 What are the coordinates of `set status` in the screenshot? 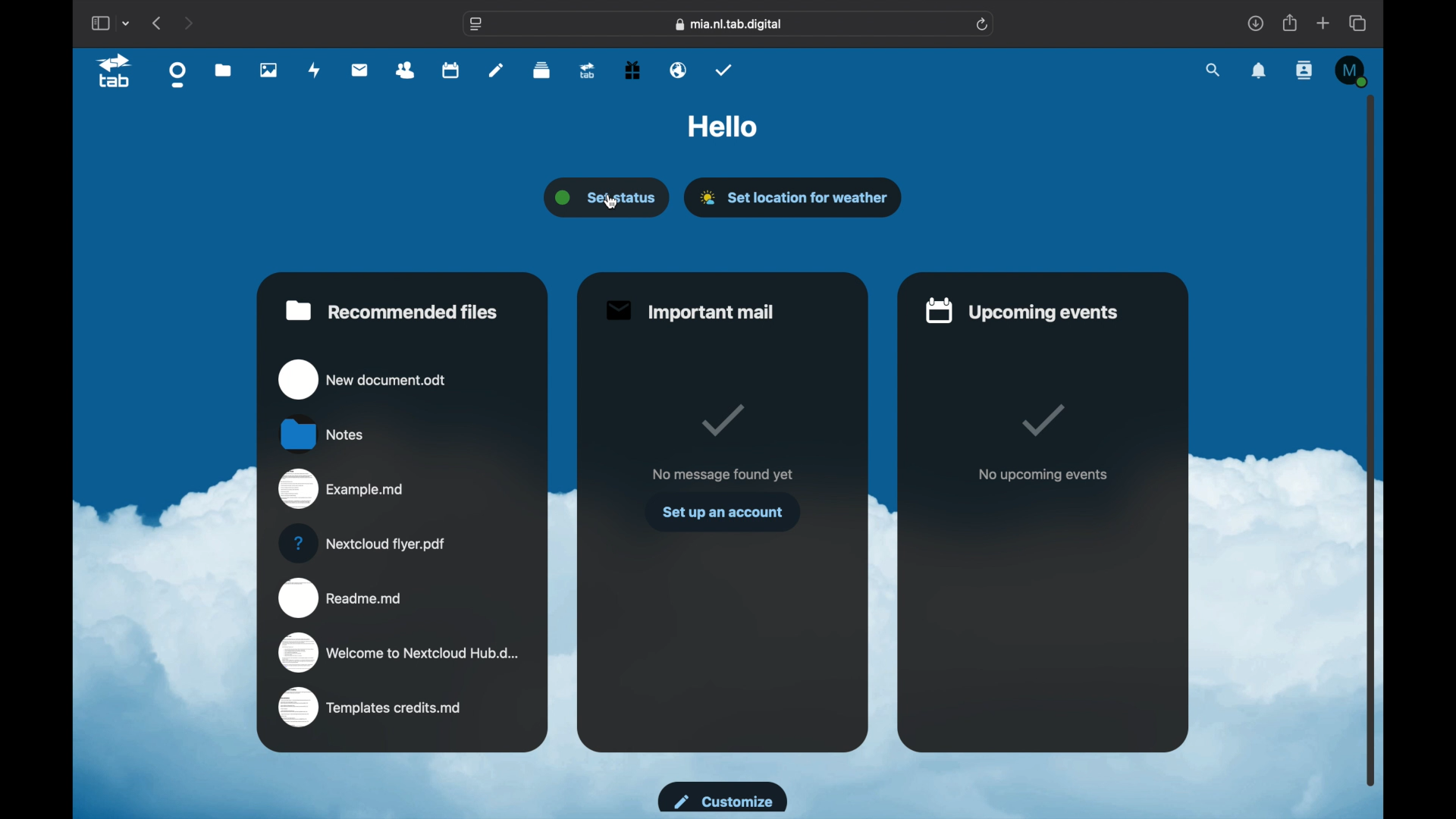 It's located at (604, 198).